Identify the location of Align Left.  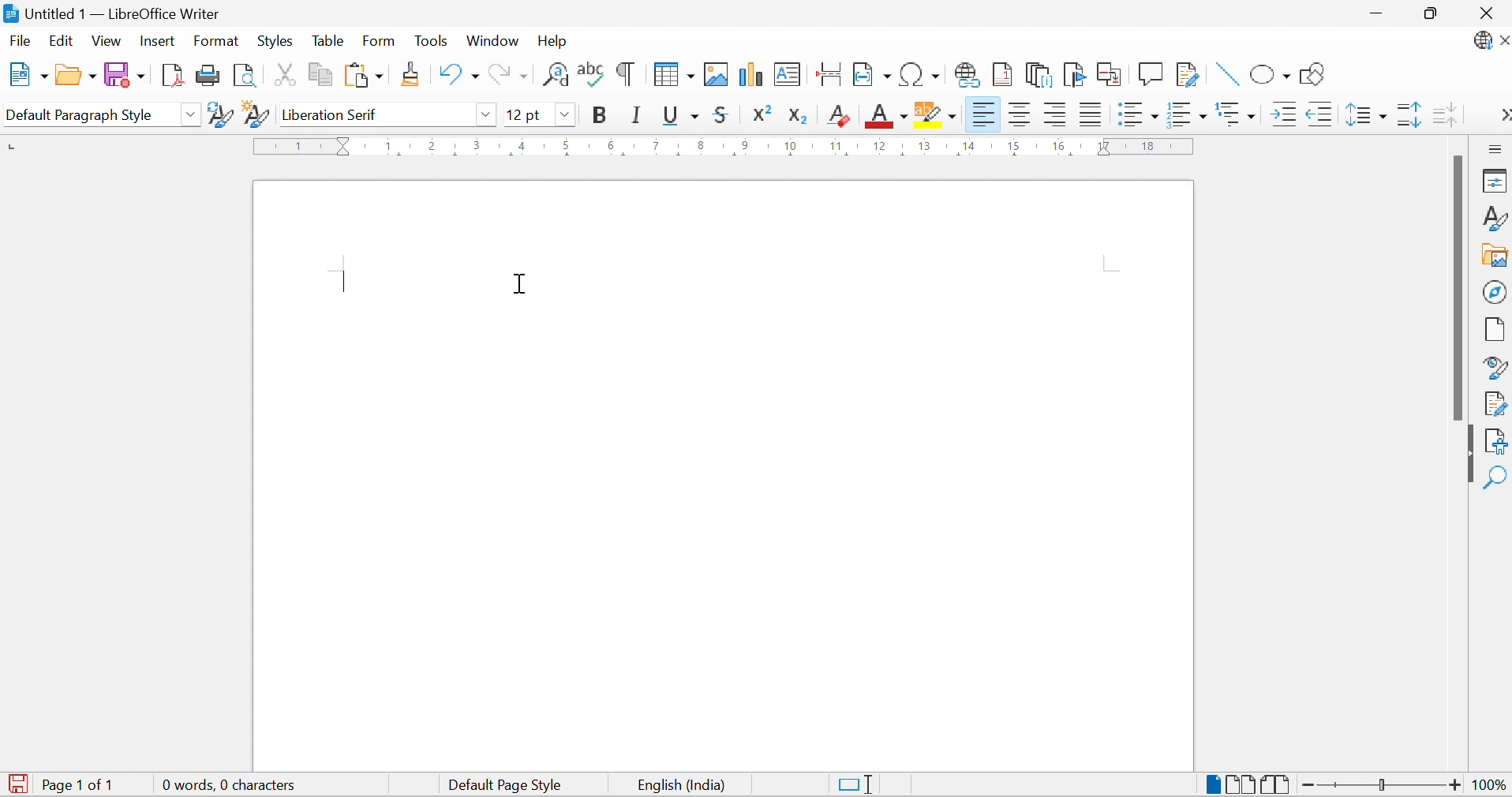
(983, 114).